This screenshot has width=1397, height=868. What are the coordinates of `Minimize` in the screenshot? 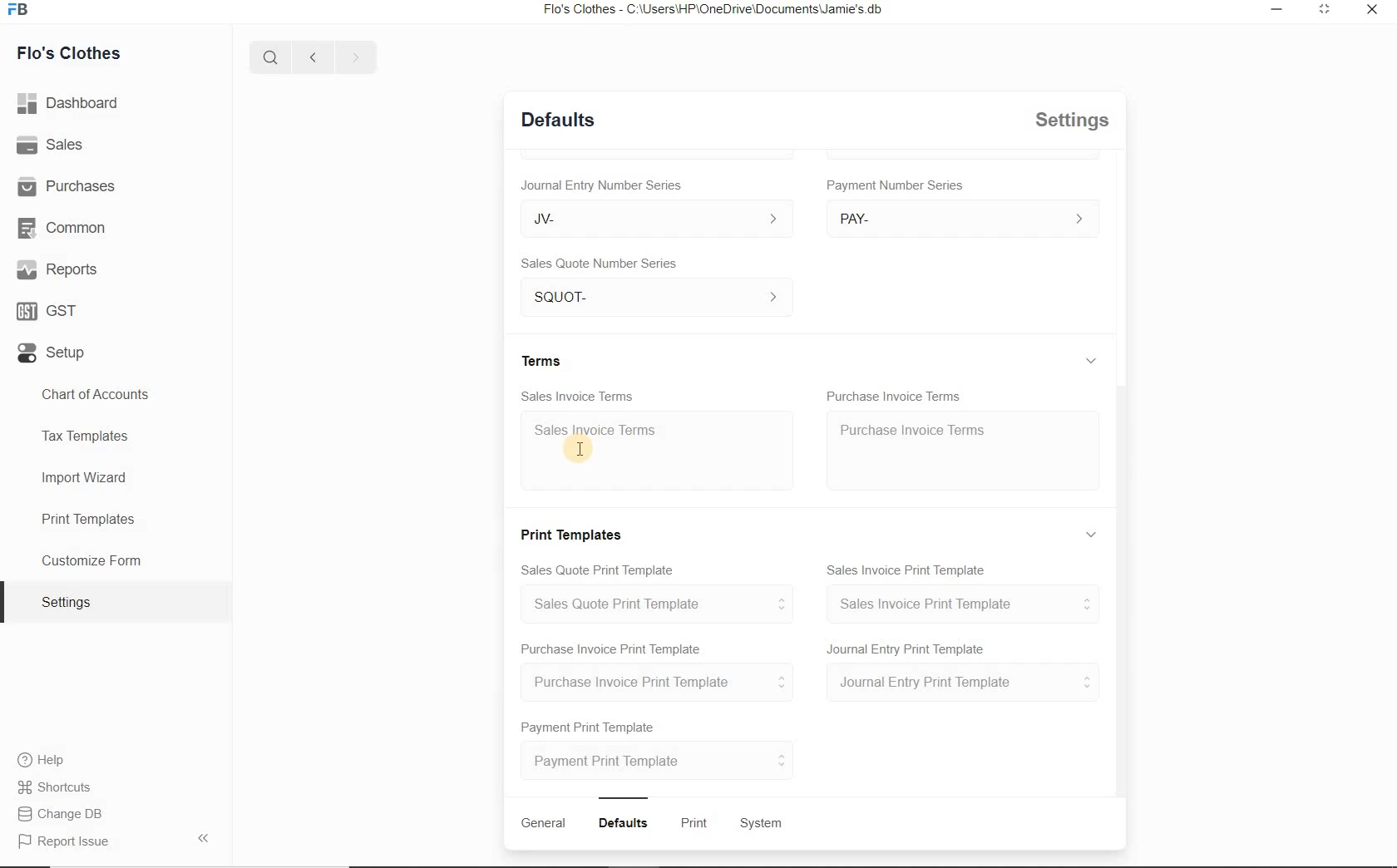 It's located at (1276, 10).